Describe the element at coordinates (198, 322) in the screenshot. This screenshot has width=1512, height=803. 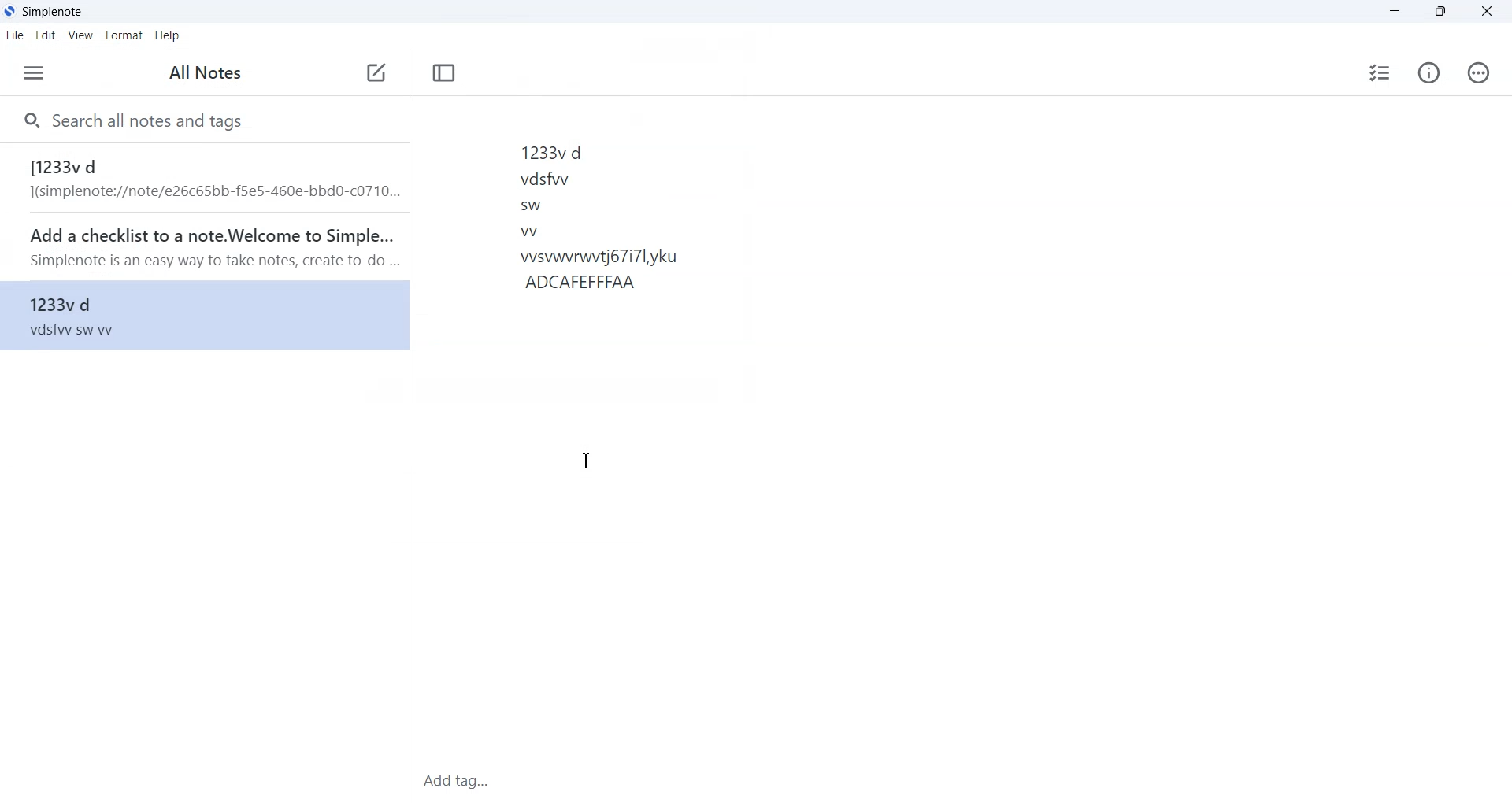
I see `1233v d ` at that location.